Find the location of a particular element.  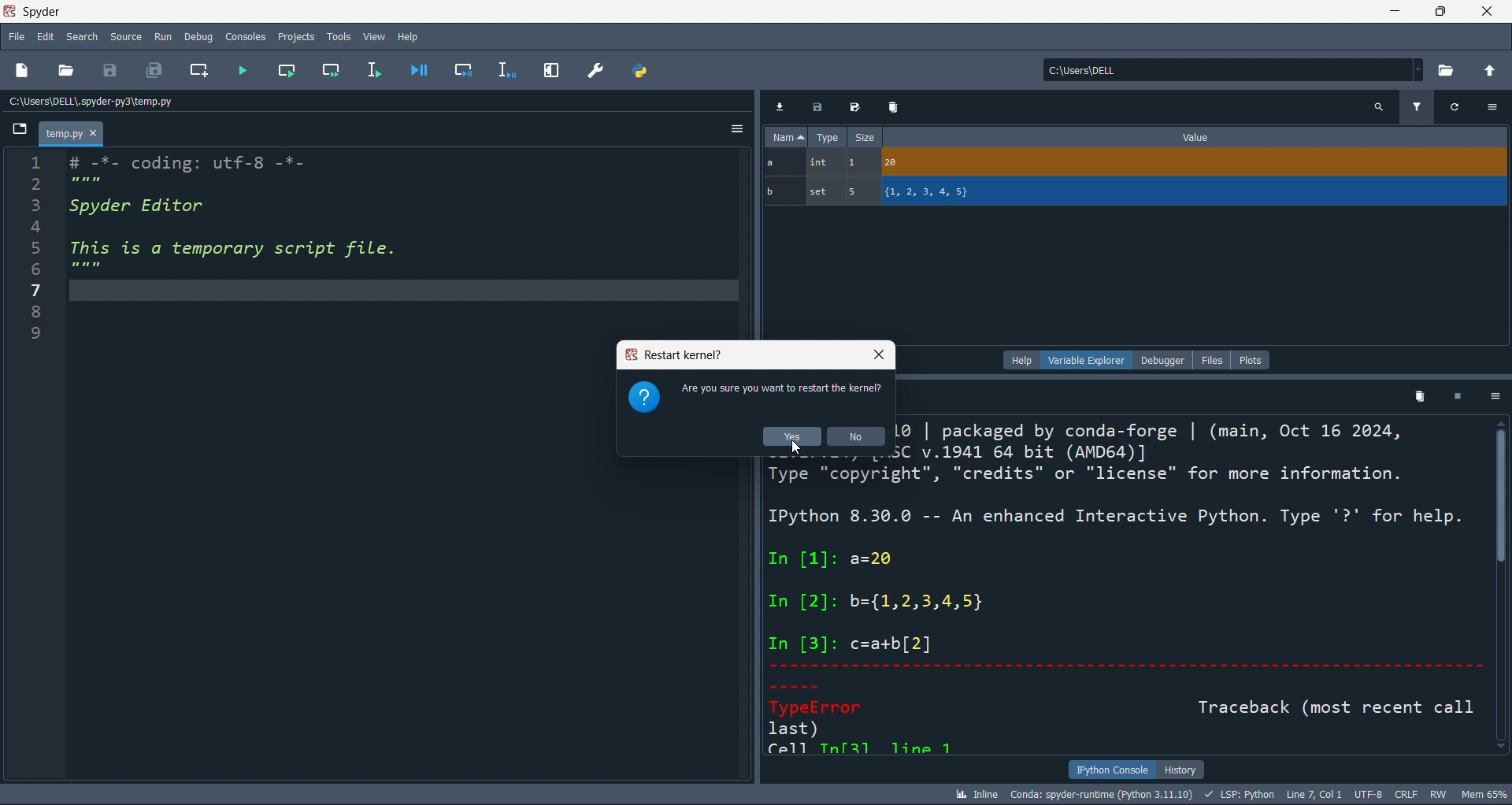

preferences is located at coordinates (595, 69).